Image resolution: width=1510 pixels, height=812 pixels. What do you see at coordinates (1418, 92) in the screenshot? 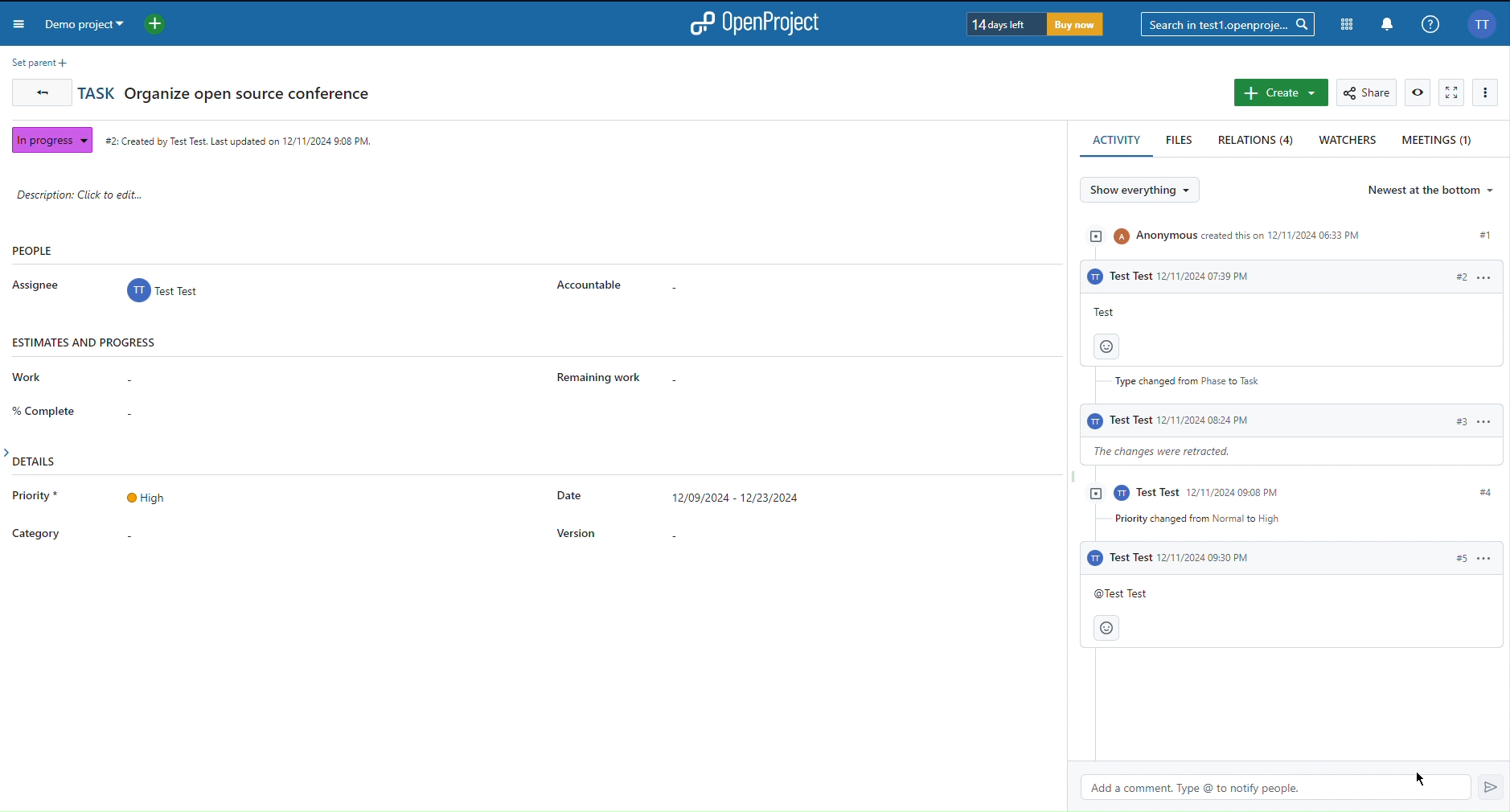
I see `View` at bounding box center [1418, 92].